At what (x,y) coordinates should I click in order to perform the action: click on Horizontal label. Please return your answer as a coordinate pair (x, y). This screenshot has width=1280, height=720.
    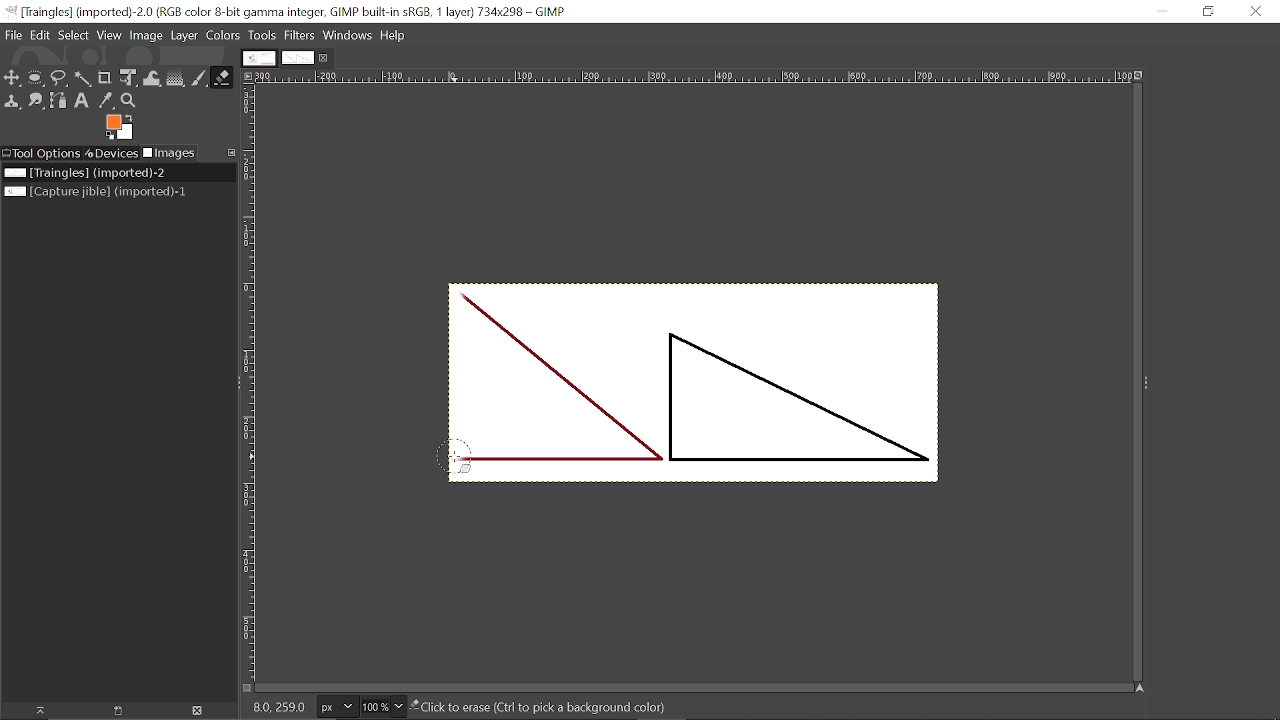
    Looking at the image, I should click on (696, 78).